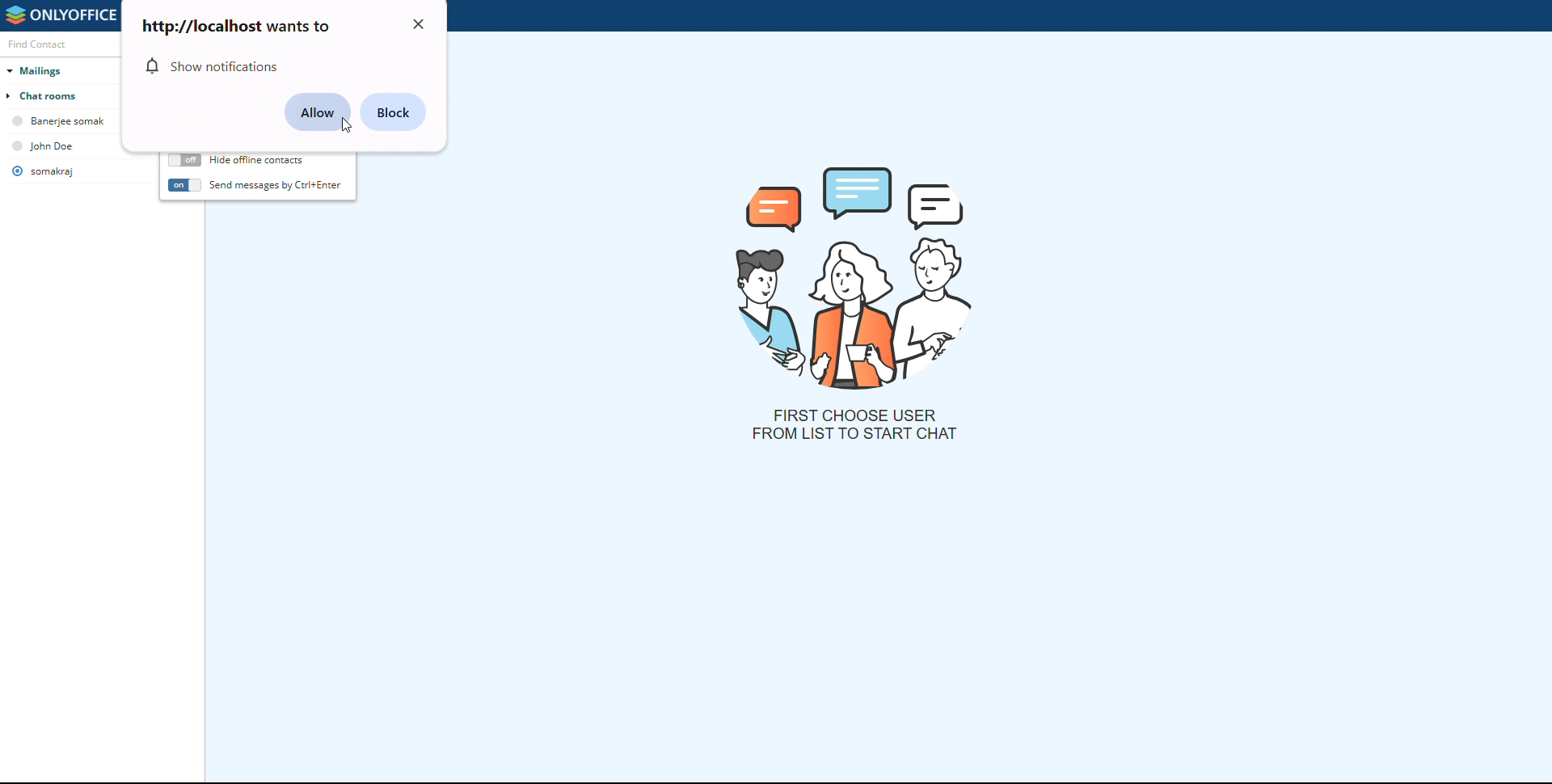 The height and width of the screenshot is (784, 1552). Describe the element at coordinates (49, 44) in the screenshot. I see `find contact` at that location.